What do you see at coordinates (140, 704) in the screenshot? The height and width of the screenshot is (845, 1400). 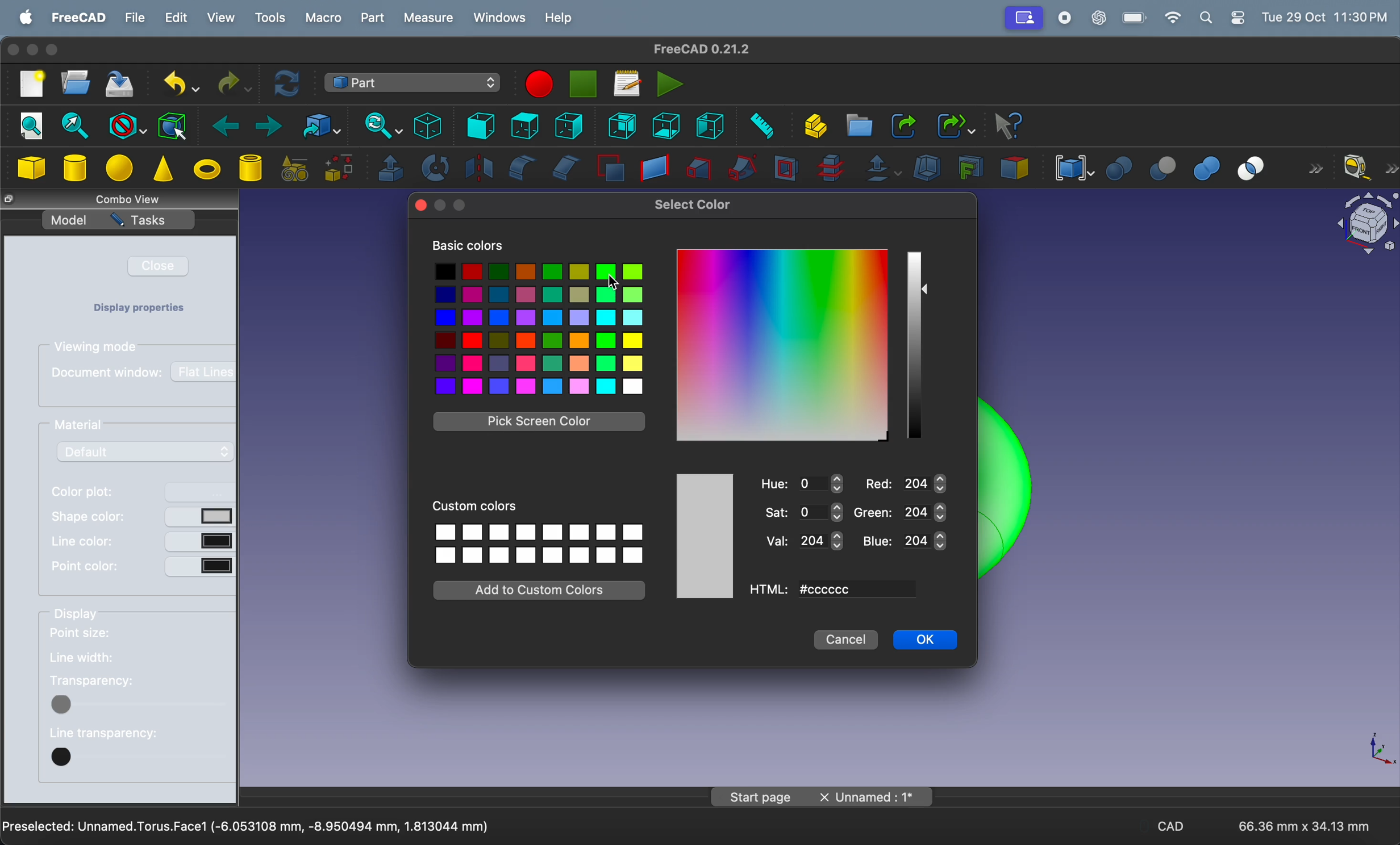 I see `button` at bounding box center [140, 704].